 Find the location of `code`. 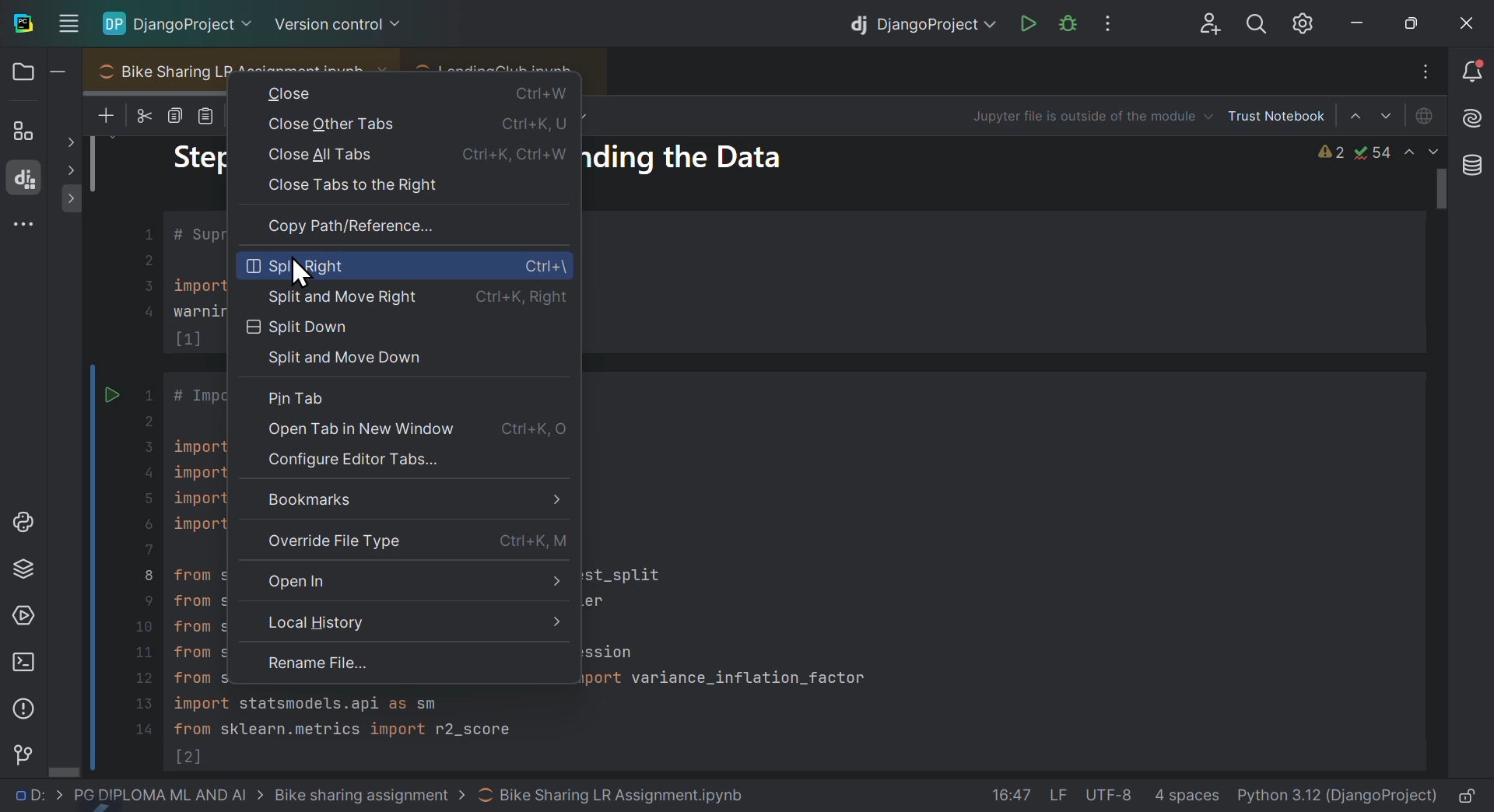

code is located at coordinates (319, 728).